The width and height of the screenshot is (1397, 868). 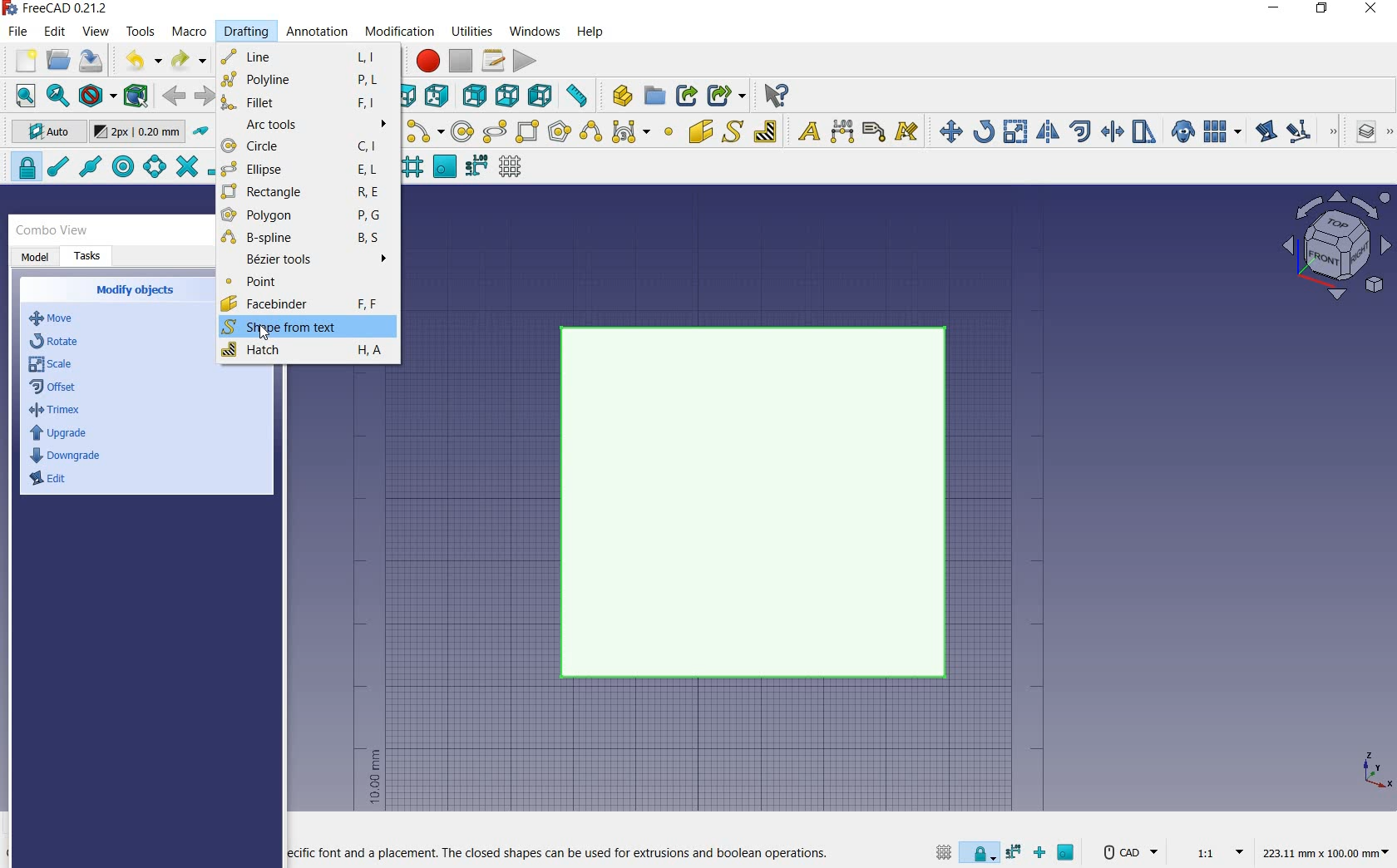 I want to click on point, so click(x=668, y=133).